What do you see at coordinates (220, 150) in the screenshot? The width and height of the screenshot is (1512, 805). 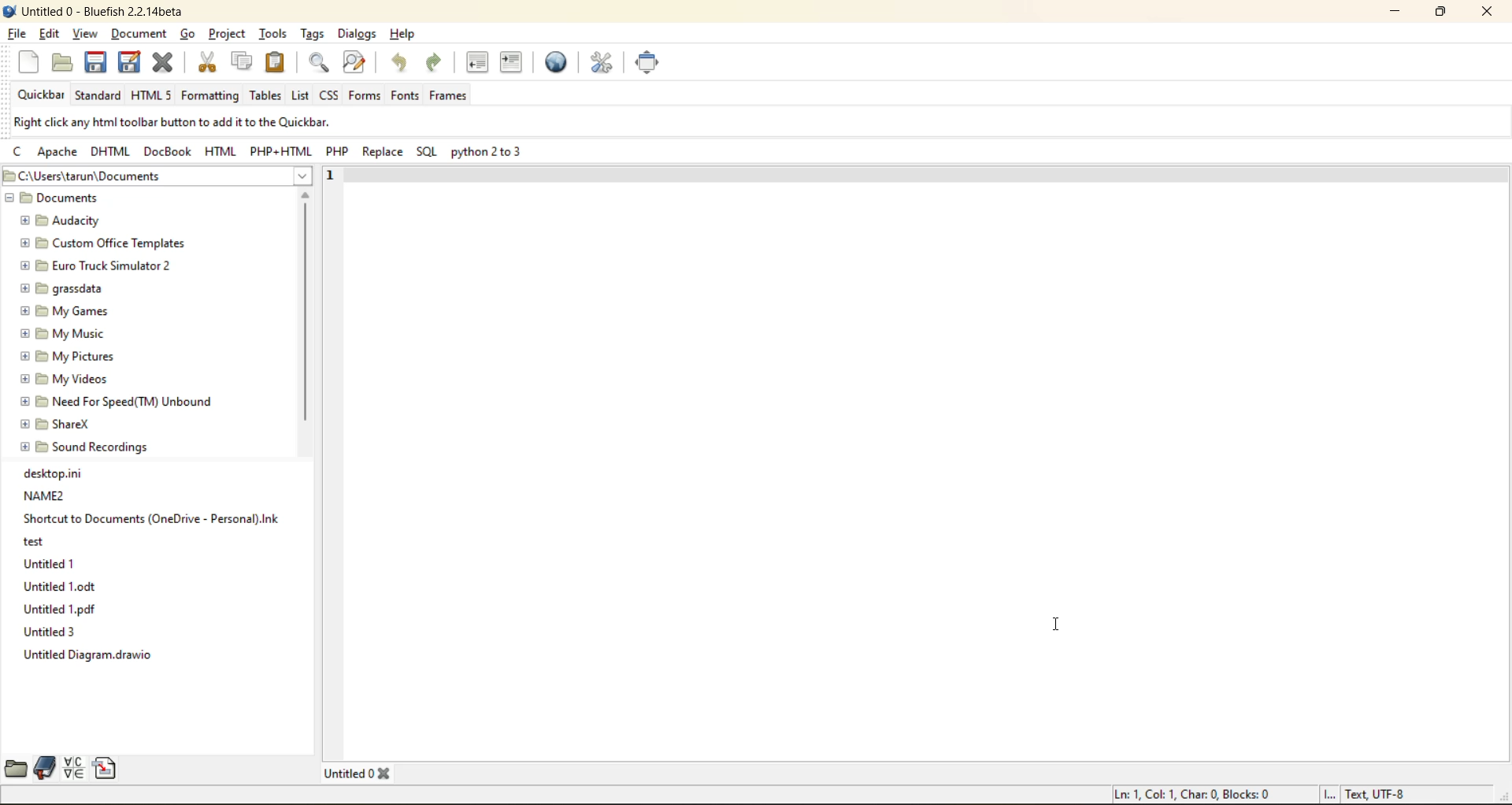 I see `html` at bounding box center [220, 150].